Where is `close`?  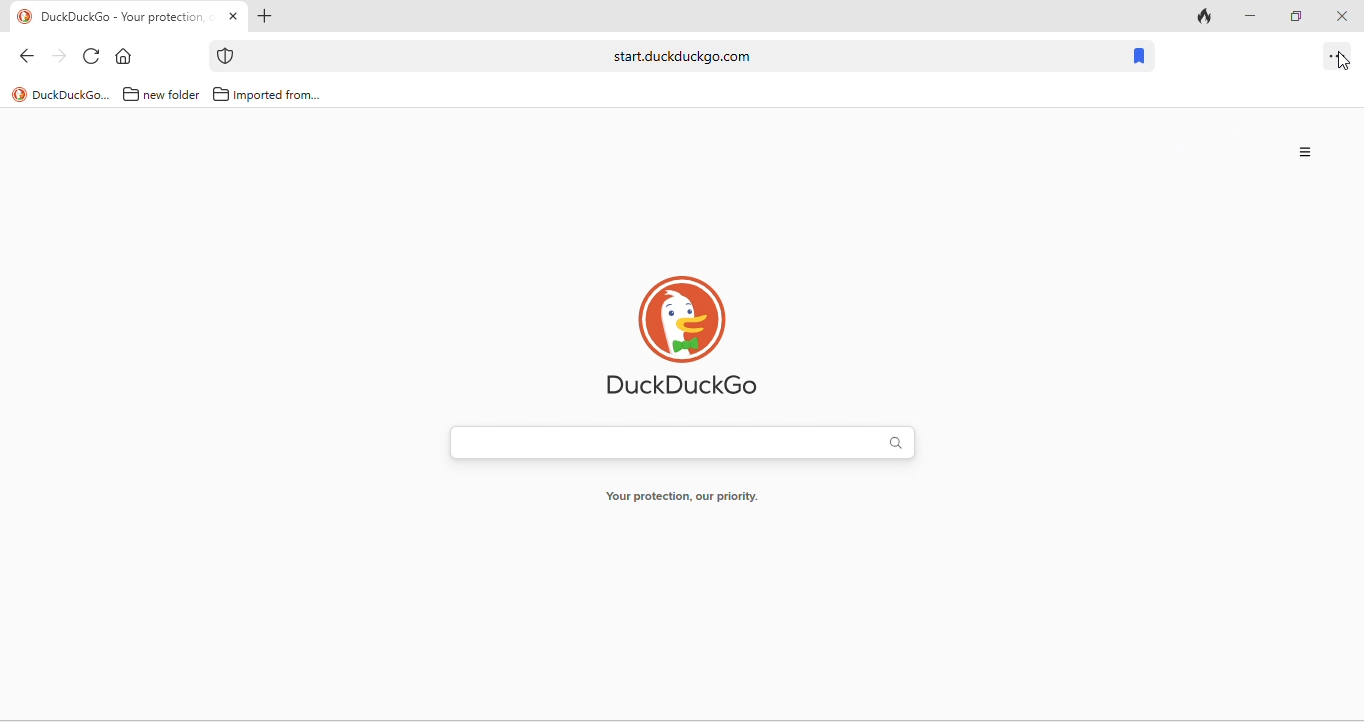 close is located at coordinates (1340, 17).